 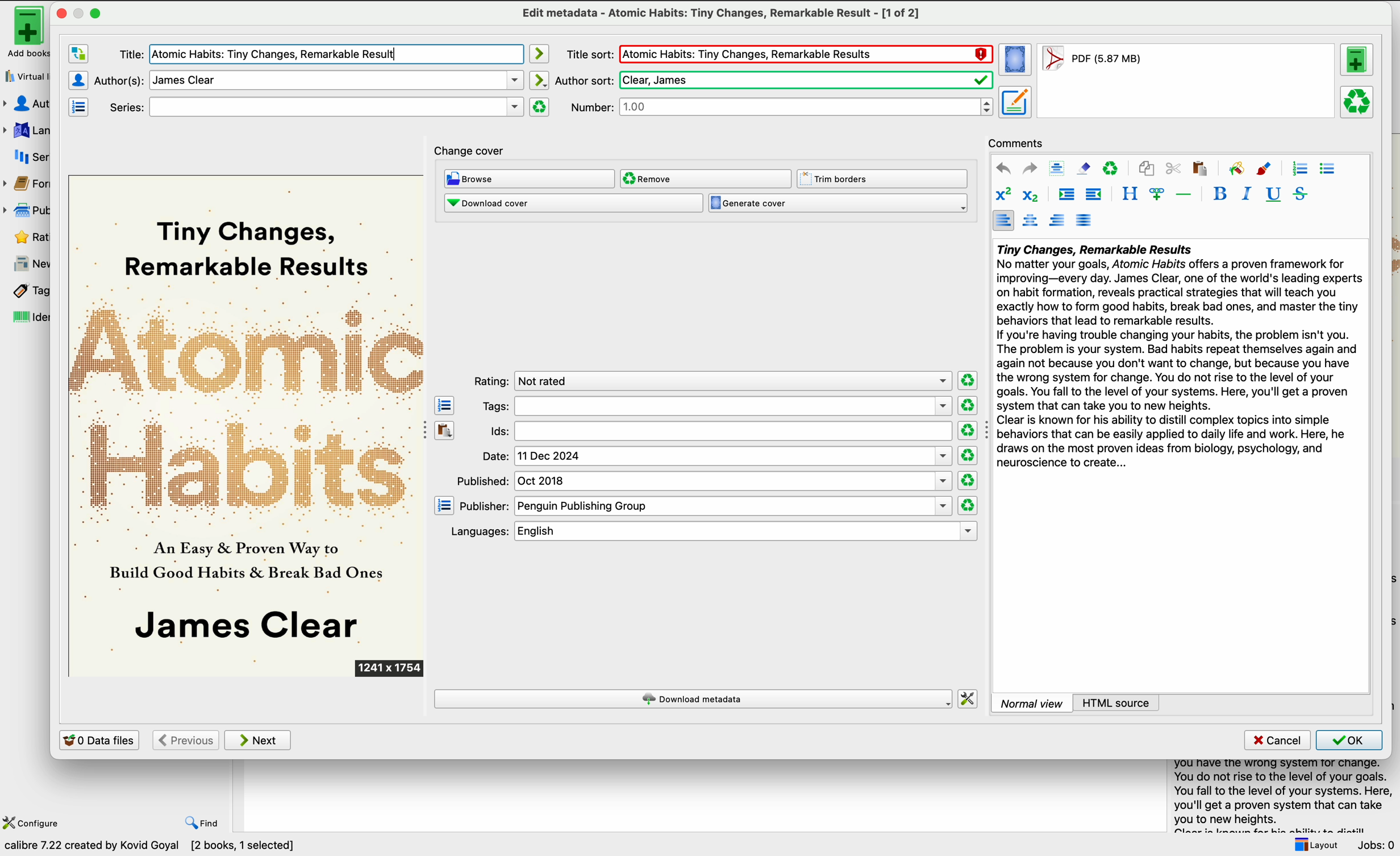 What do you see at coordinates (718, 432) in the screenshot?
I see `Ids` at bounding box center [718, 432].